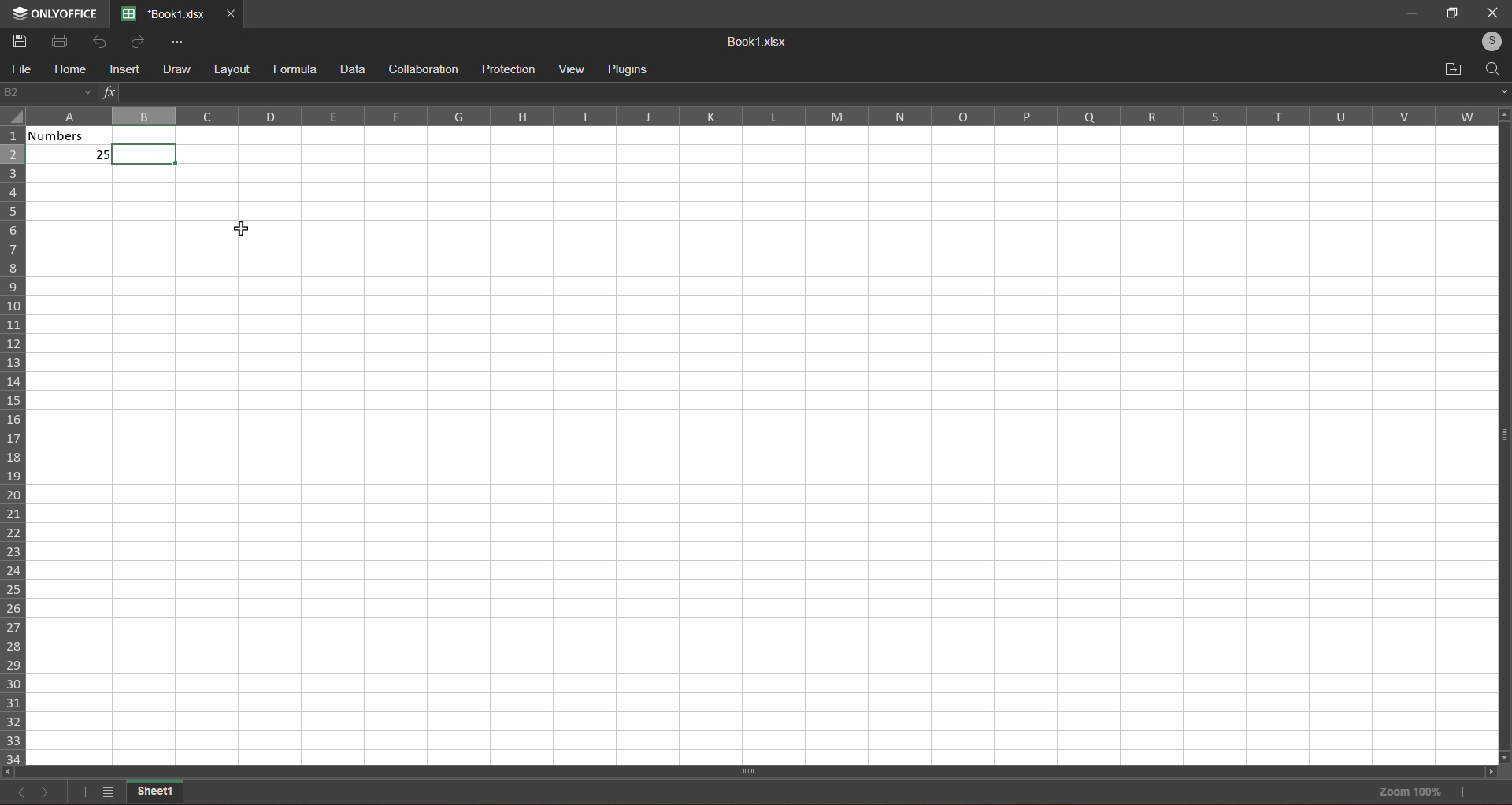 The width and height of the screenshot is (1512, 805). Describe the element at coordinates (57, 9) in the screenshot. I see `onlyoffice` at that location.